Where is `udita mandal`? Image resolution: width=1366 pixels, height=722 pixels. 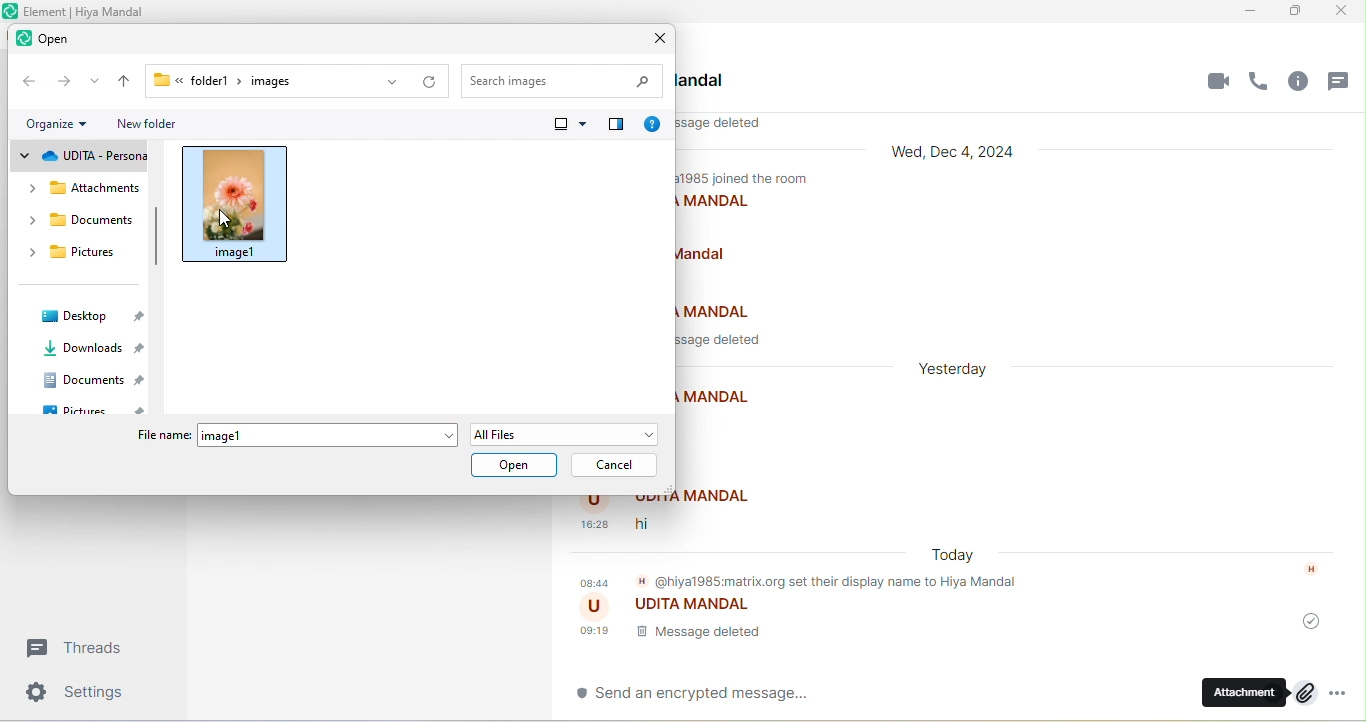 udita mandal is located at coordinates (682, 609).